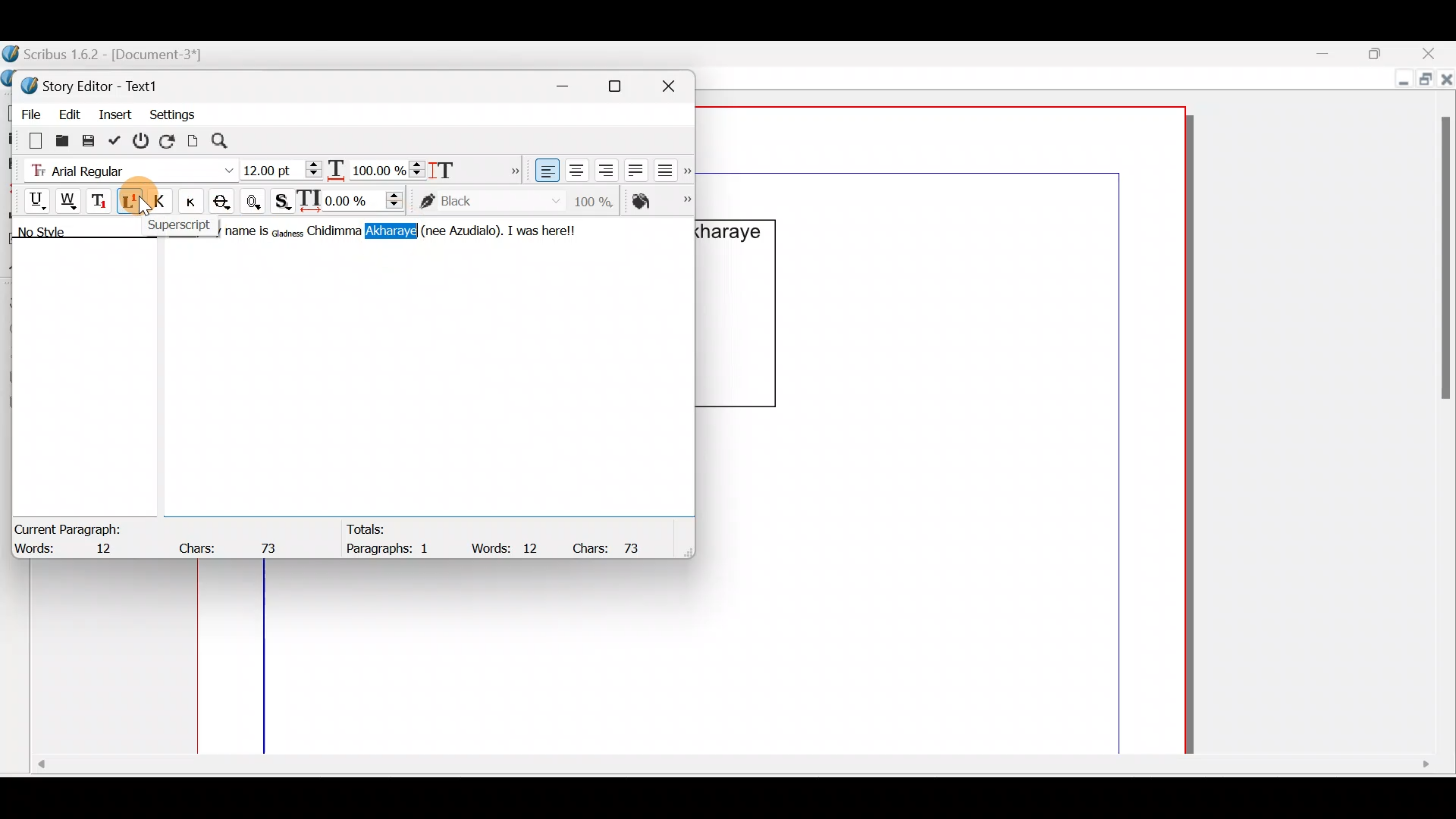 The height and width of the screenshot is (819, 1456). I want to click on Maximize, so click(1423, 81).